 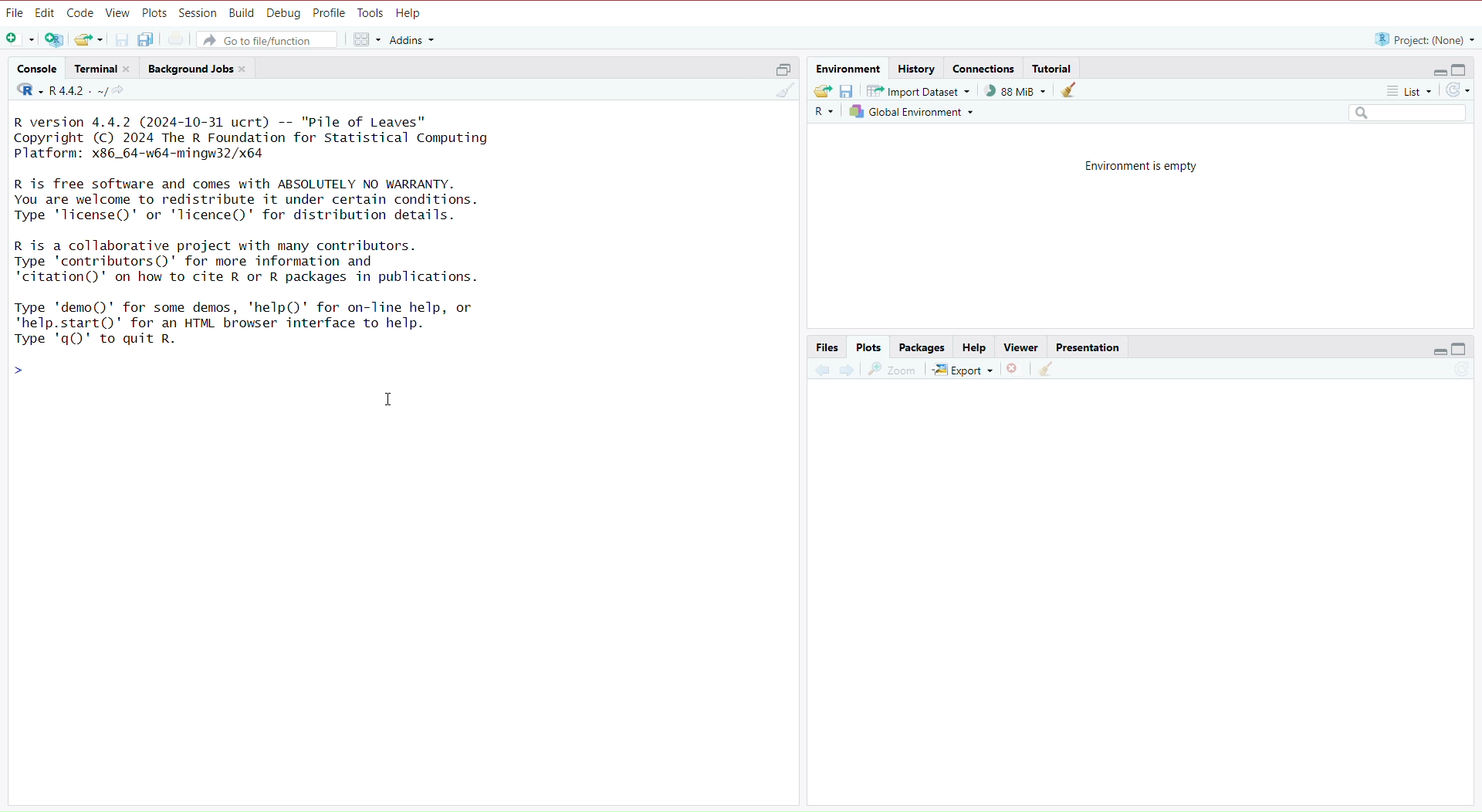 What do you see at coordinates (371, 13) in the screenshot?
I see `tools` at bounding box center [371, 13].